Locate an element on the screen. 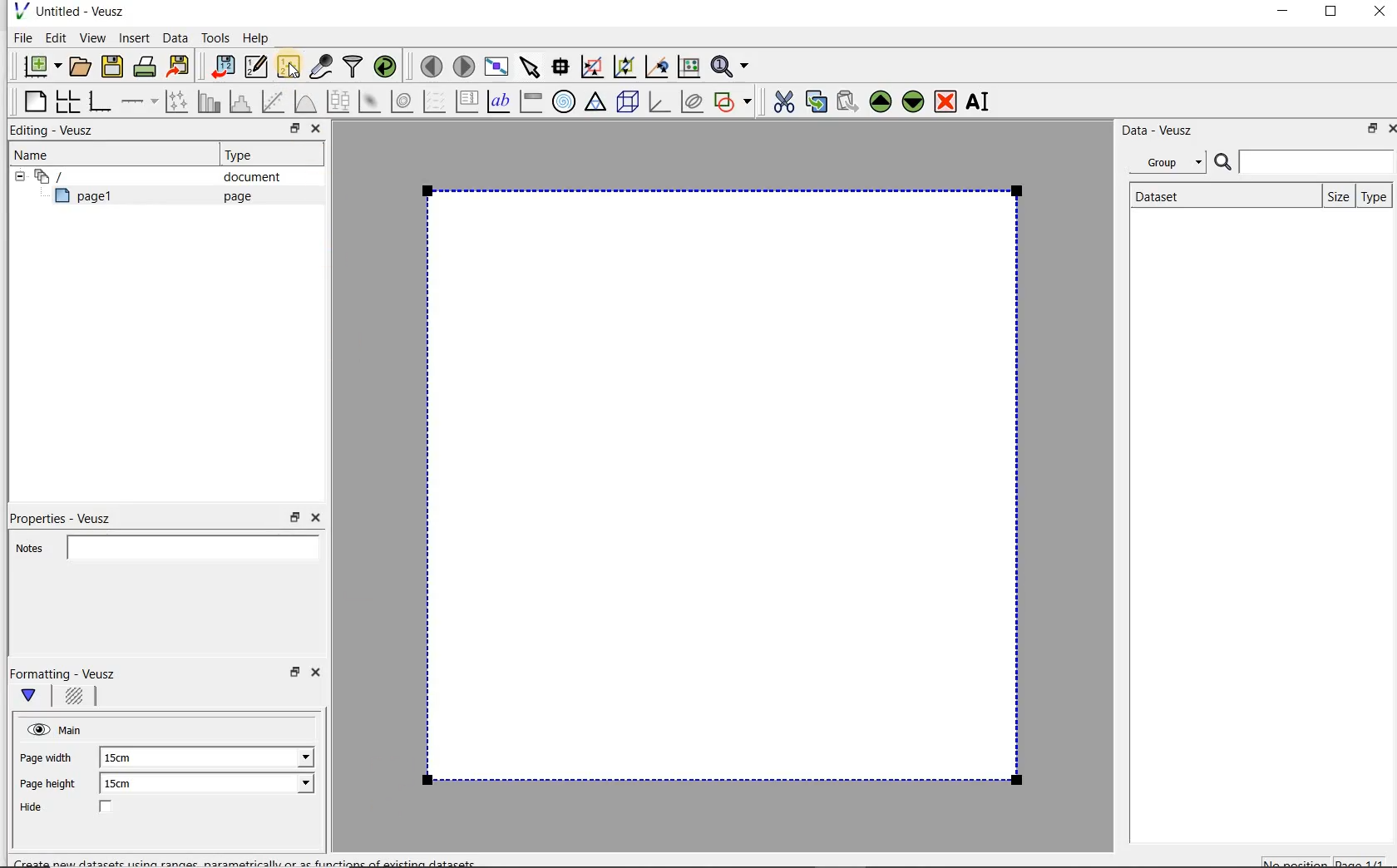 The image size is (1397, 868). Formatting - Veusz is located at coordinates (65, 673).